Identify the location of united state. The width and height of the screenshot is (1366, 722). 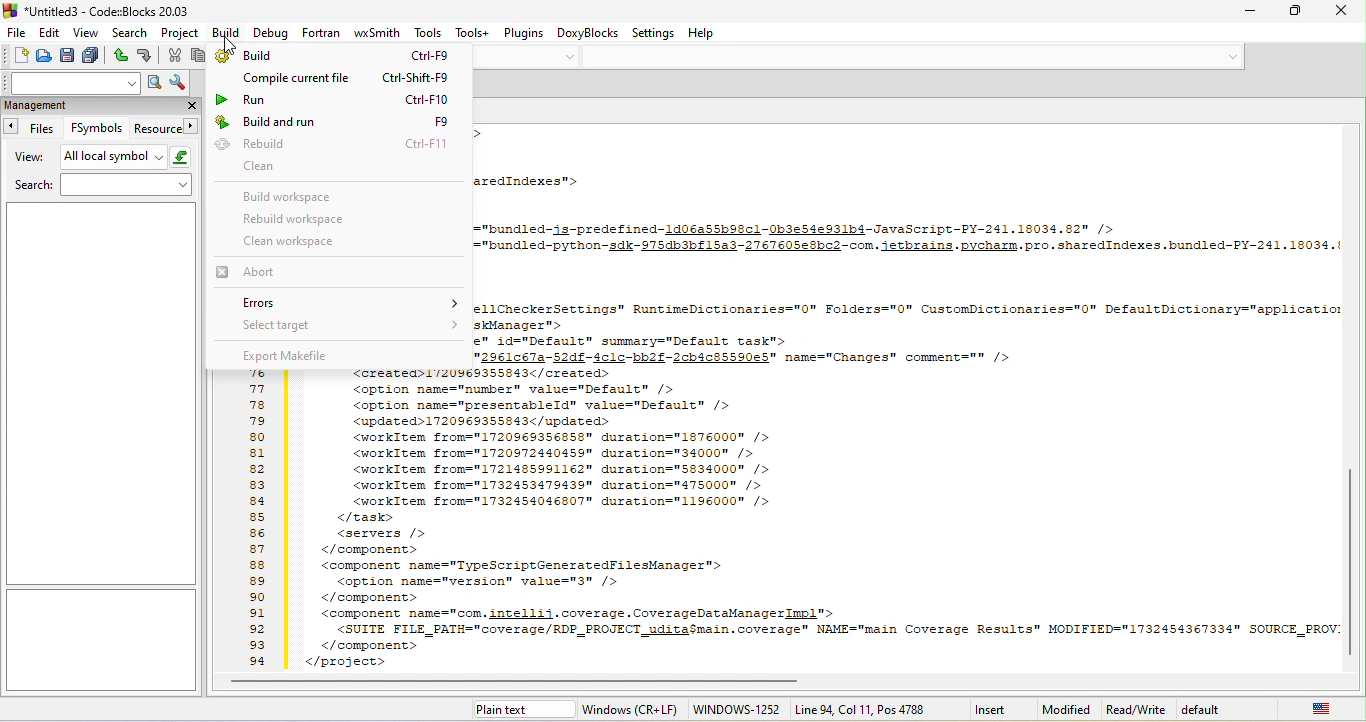
(1318, 708).